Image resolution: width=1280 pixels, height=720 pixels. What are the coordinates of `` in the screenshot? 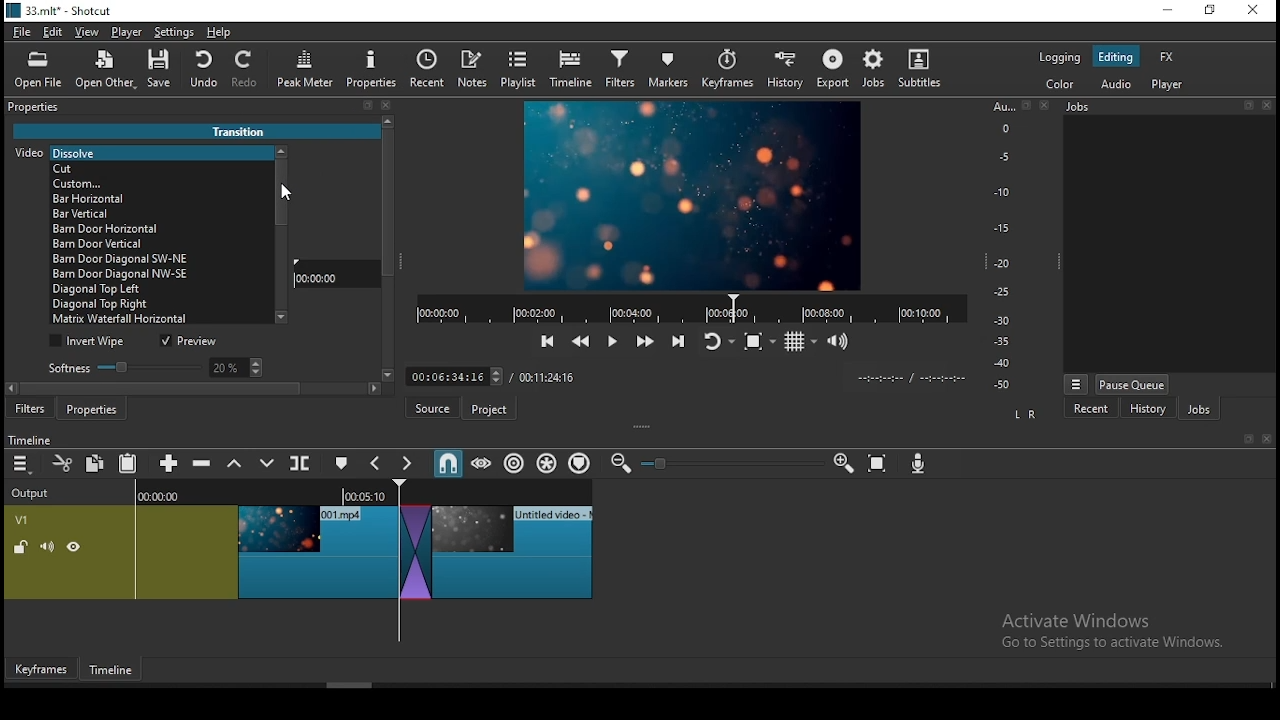 It's located at (1247, 440).